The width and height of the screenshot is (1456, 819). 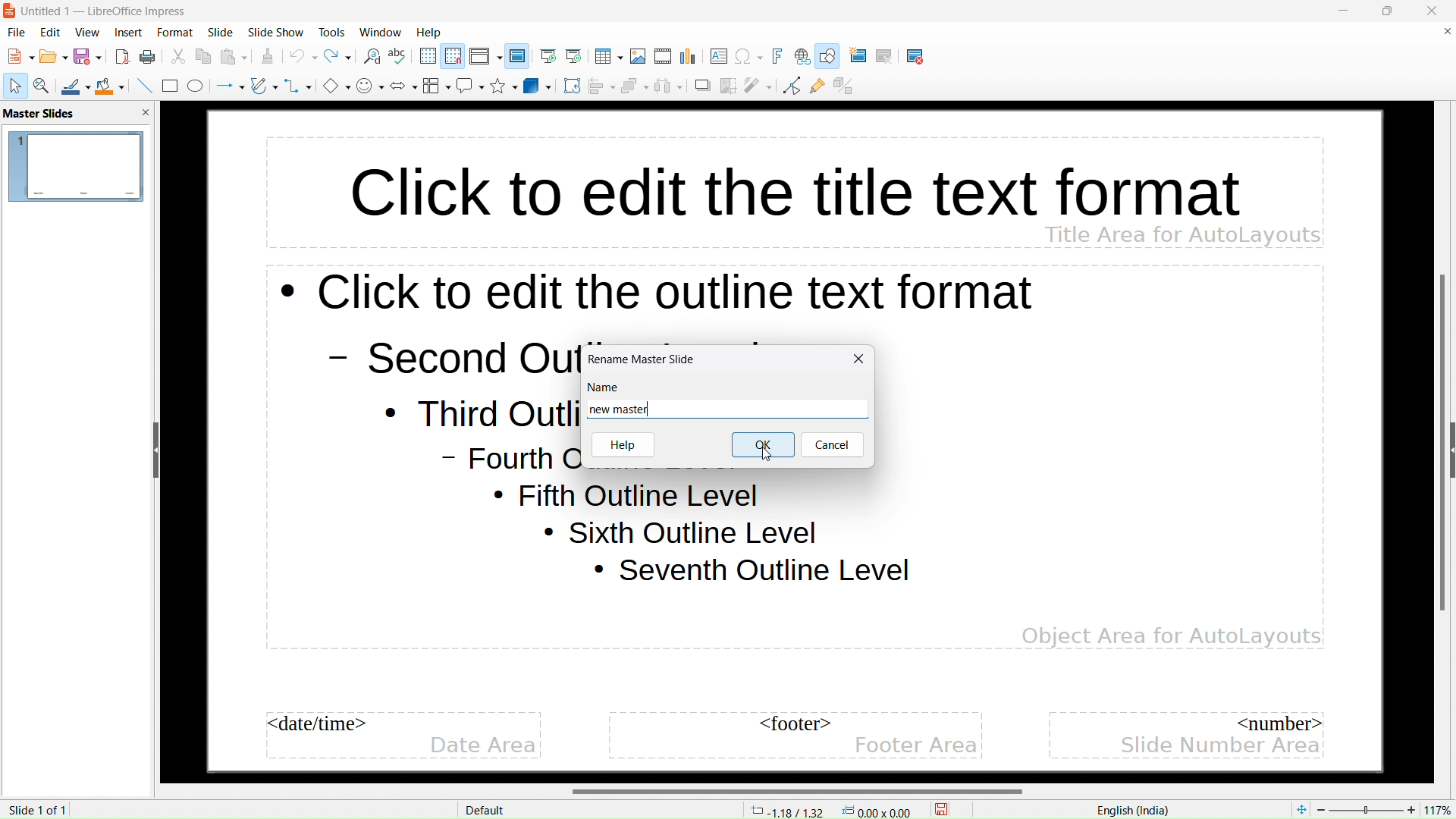 I want to click on tools, so click(x=332, y=33).